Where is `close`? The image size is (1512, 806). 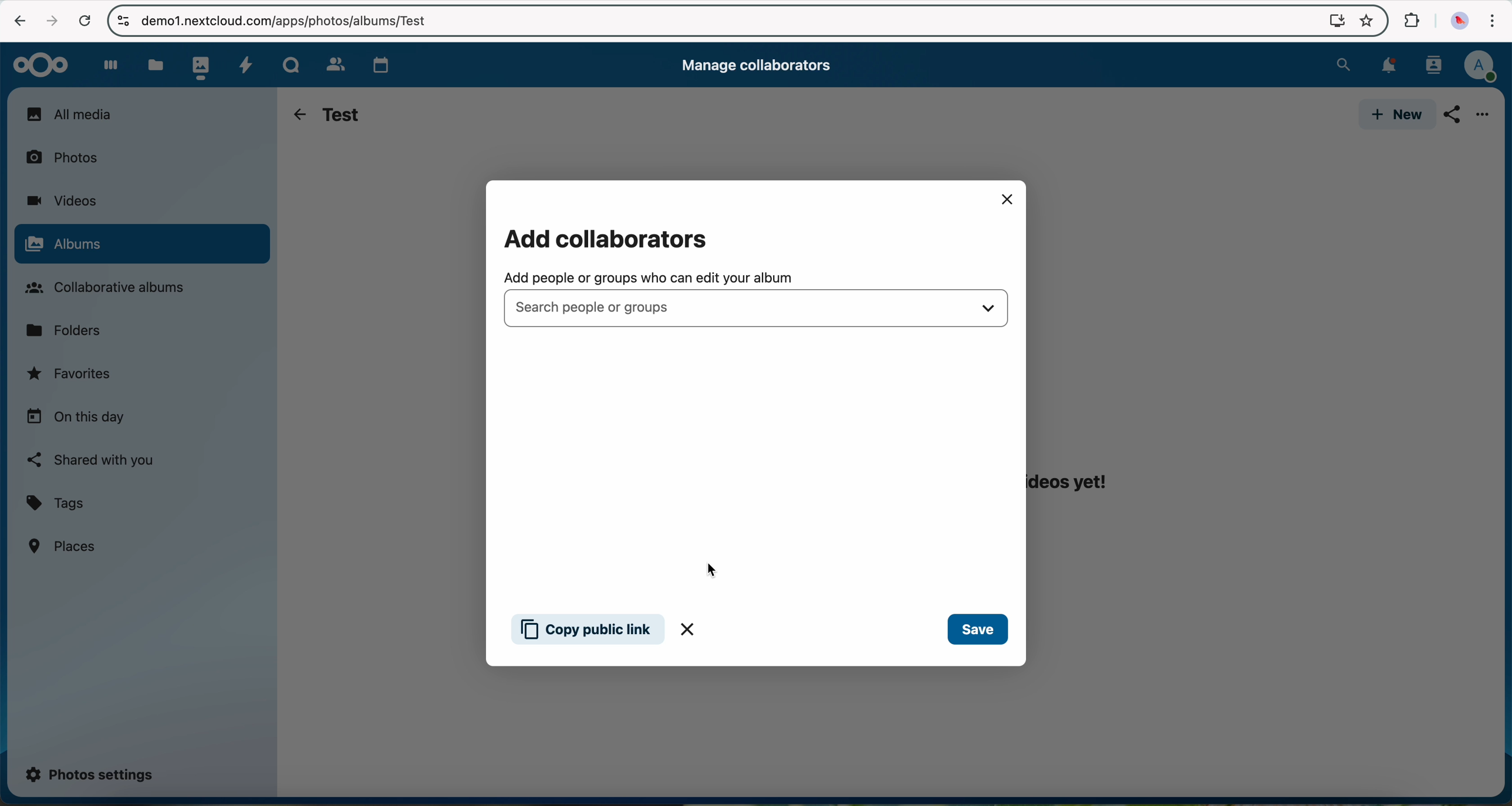
close is located at coordinates (699, 631).